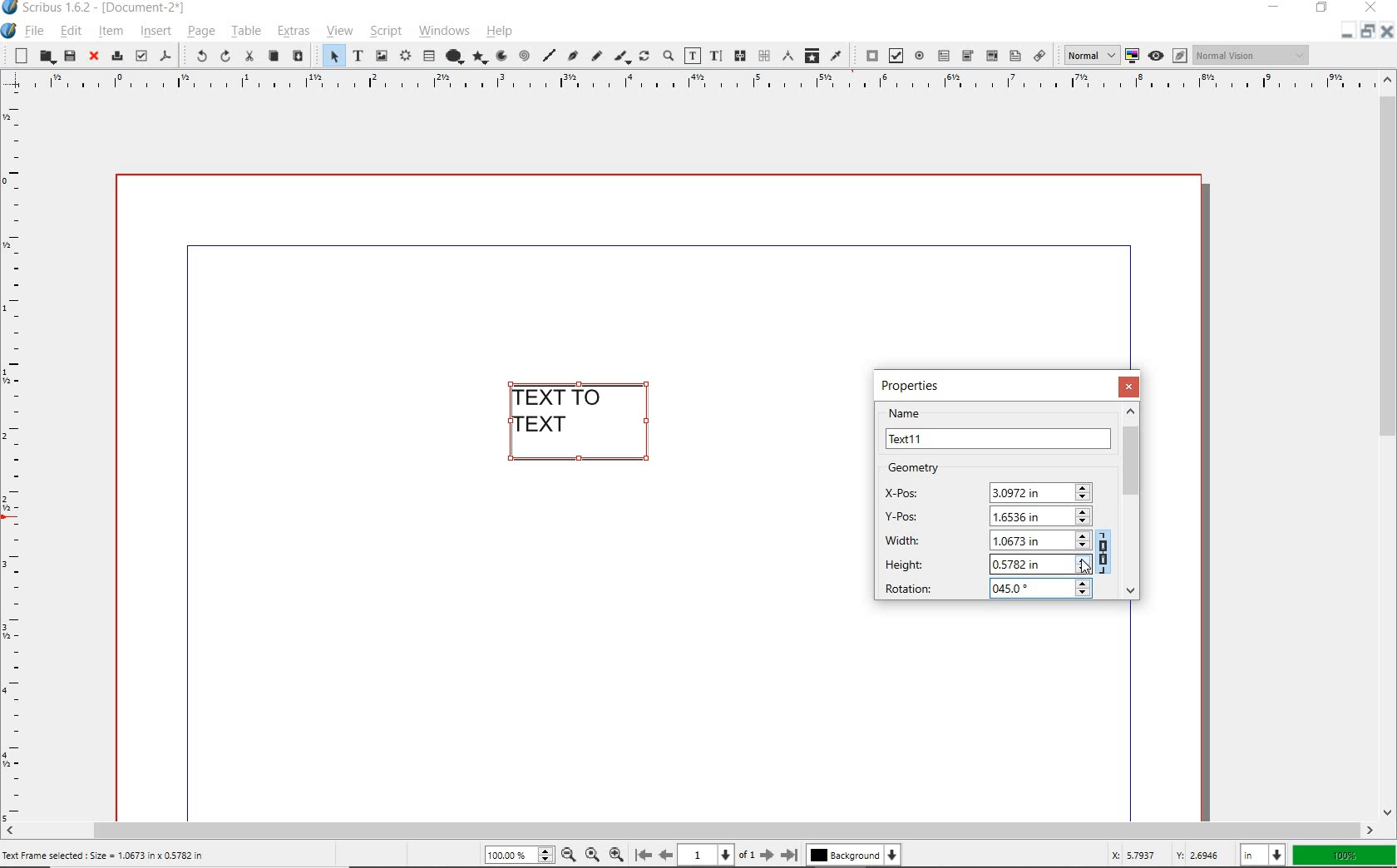  I want to click on open, so click(47, 57).